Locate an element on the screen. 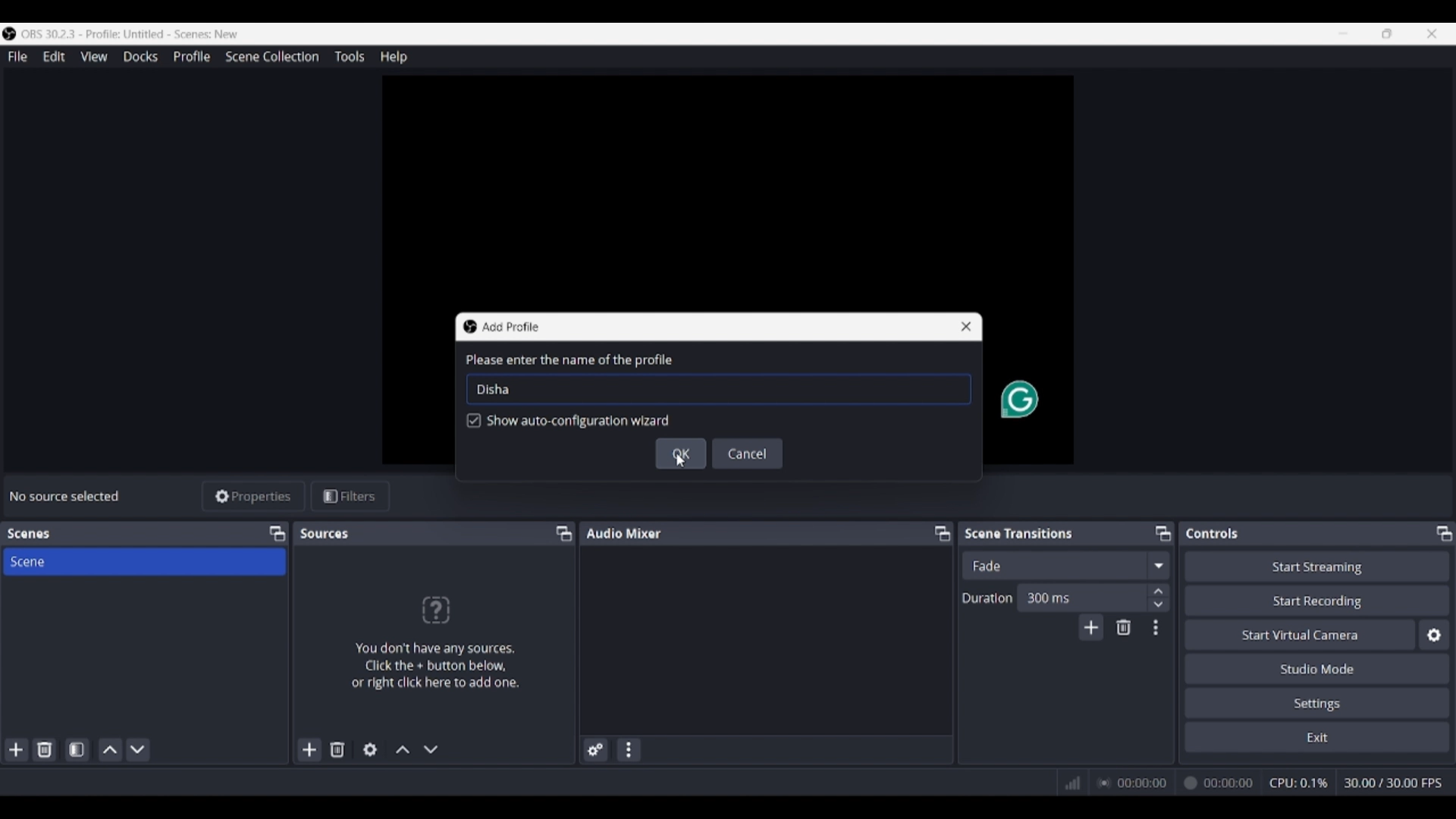  Panel title is located at coordinates (29, 534).